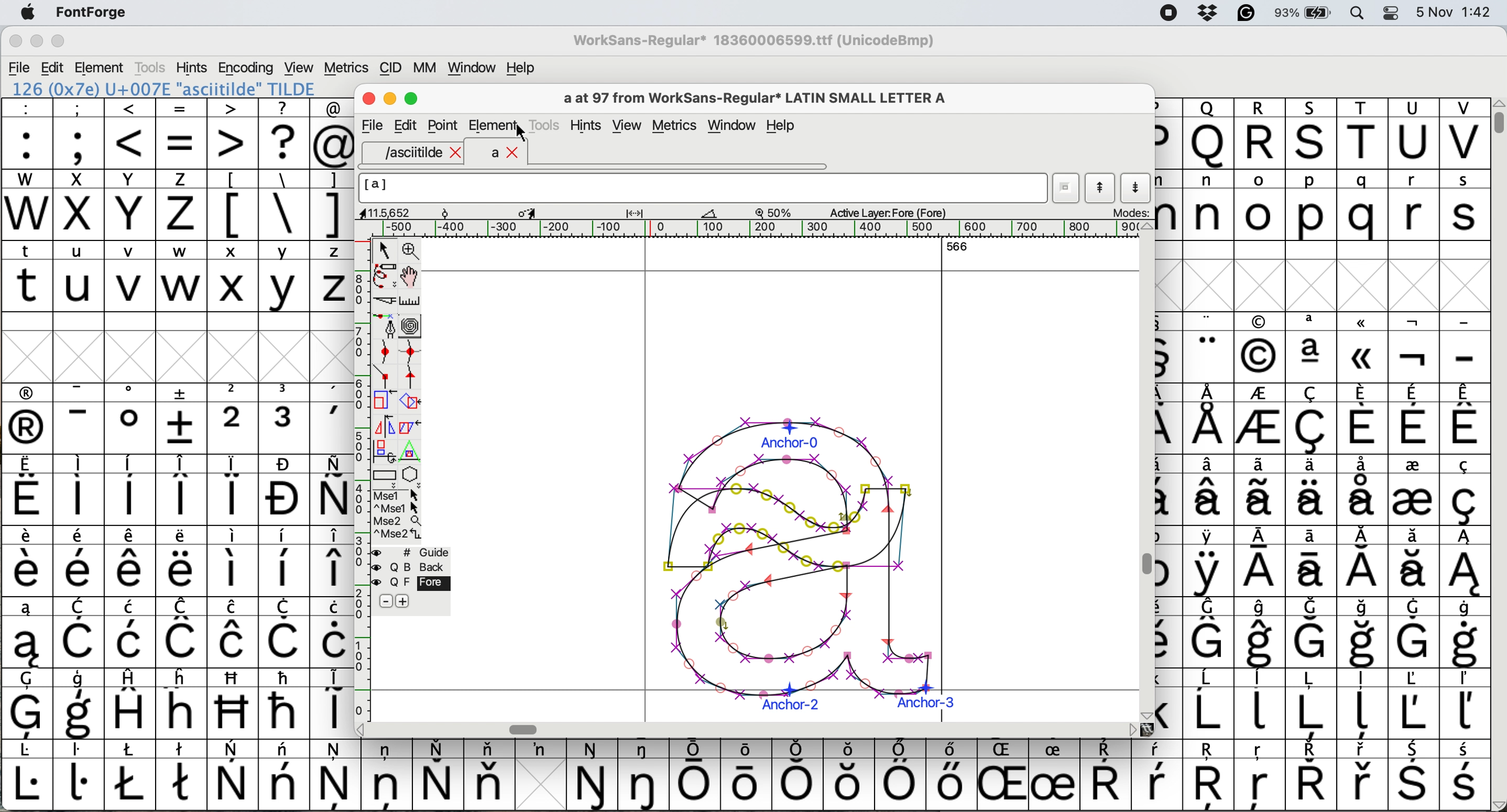 This screenshot has height=812, width=1507. I want to click on minimise, so click(35, 42).